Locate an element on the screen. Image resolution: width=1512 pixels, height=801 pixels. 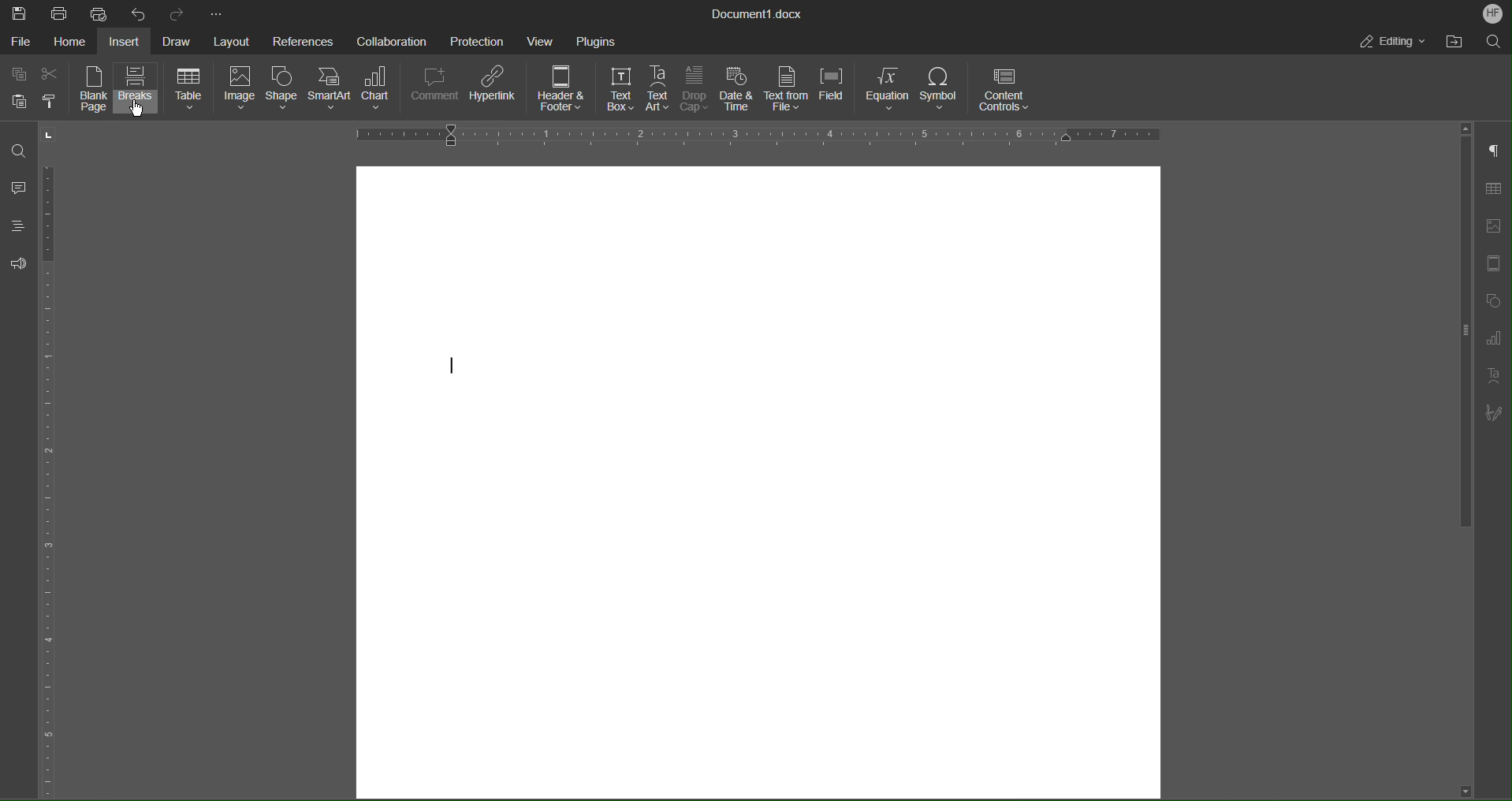
Symbol is located at coordinates (940, 90).